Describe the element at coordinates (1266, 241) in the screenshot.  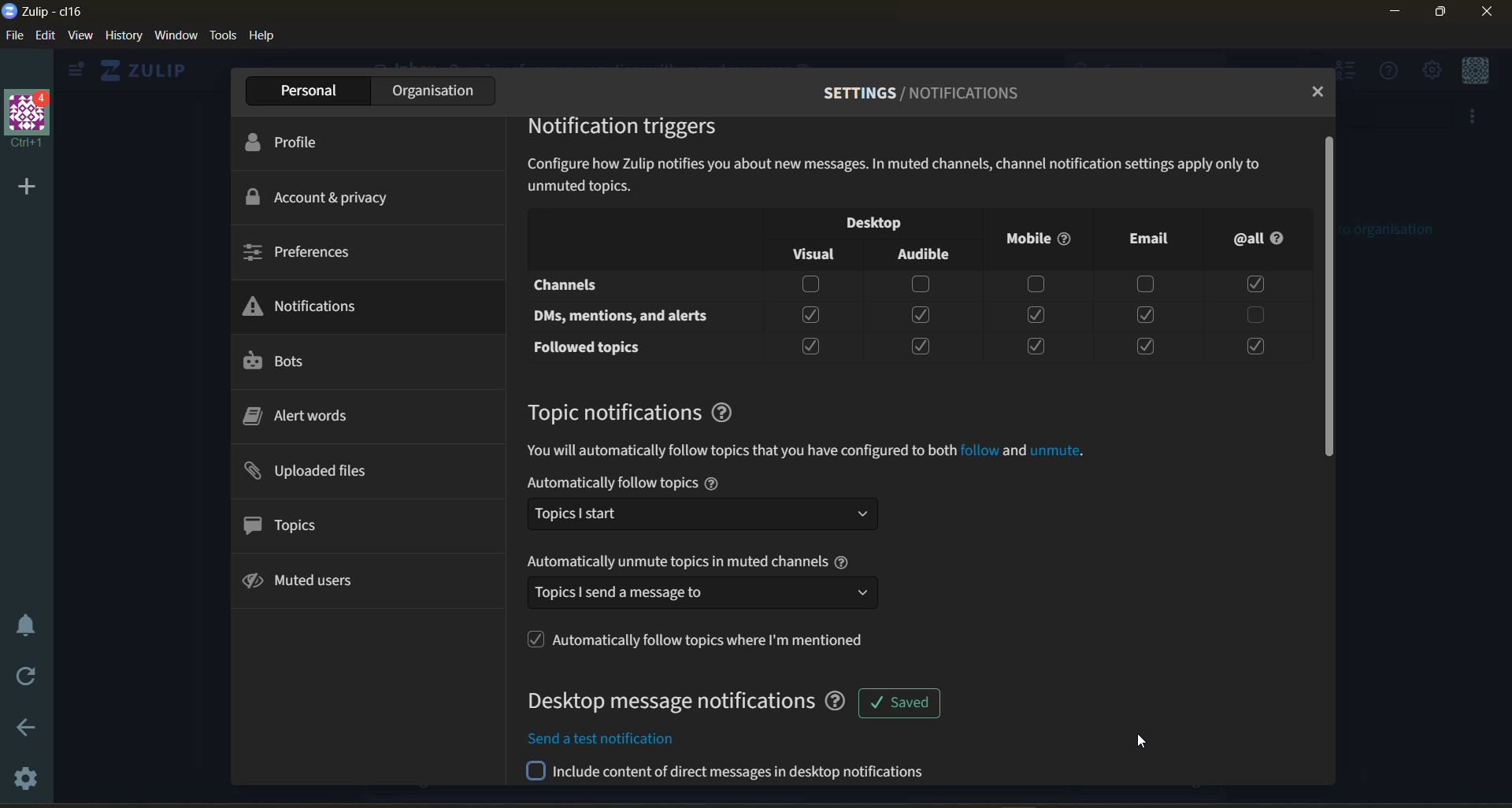
I see `@all` at that location.